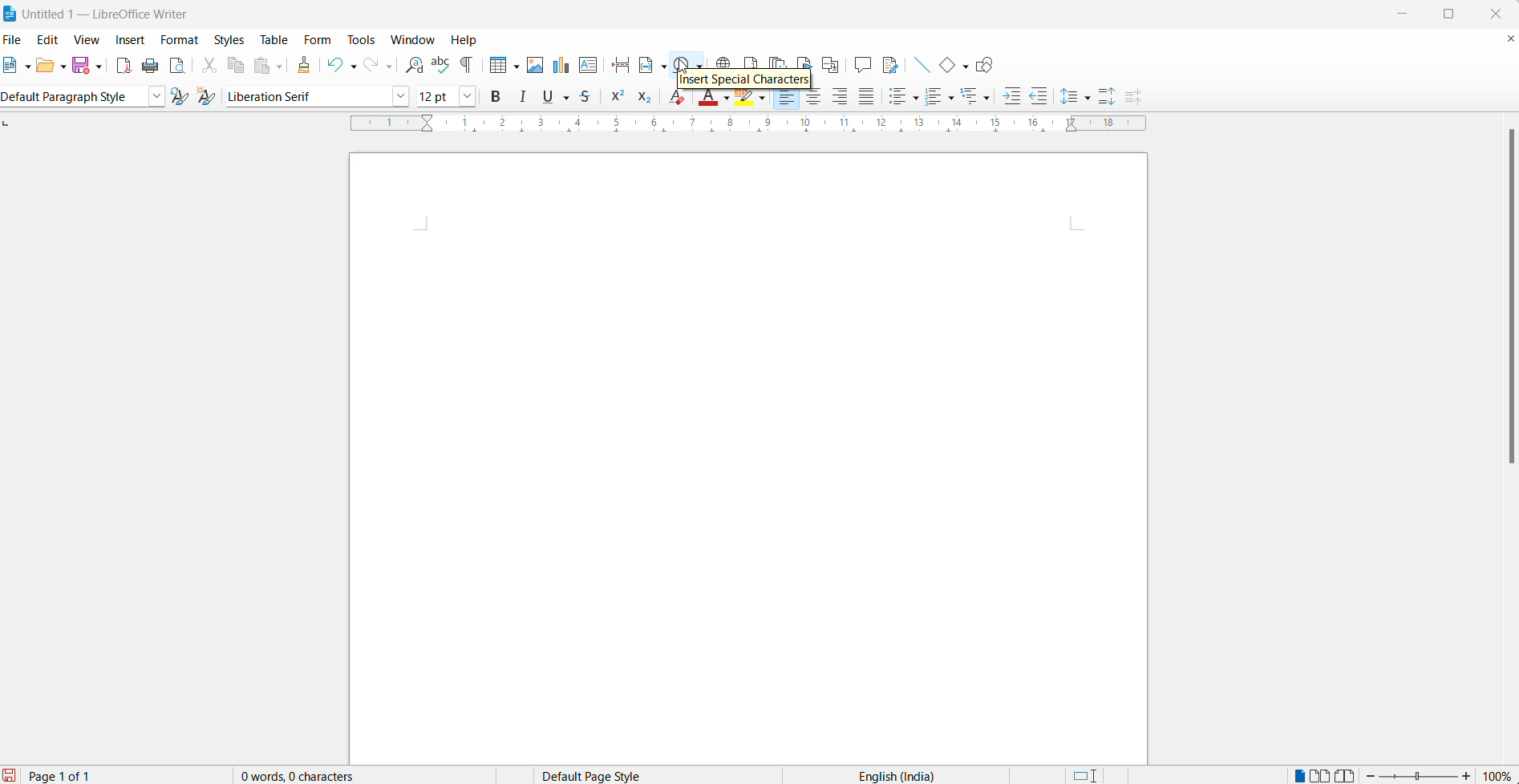 Image resolution: width=1519 pixels, height=784 pixels. I want to click on window, so click(411, 38).